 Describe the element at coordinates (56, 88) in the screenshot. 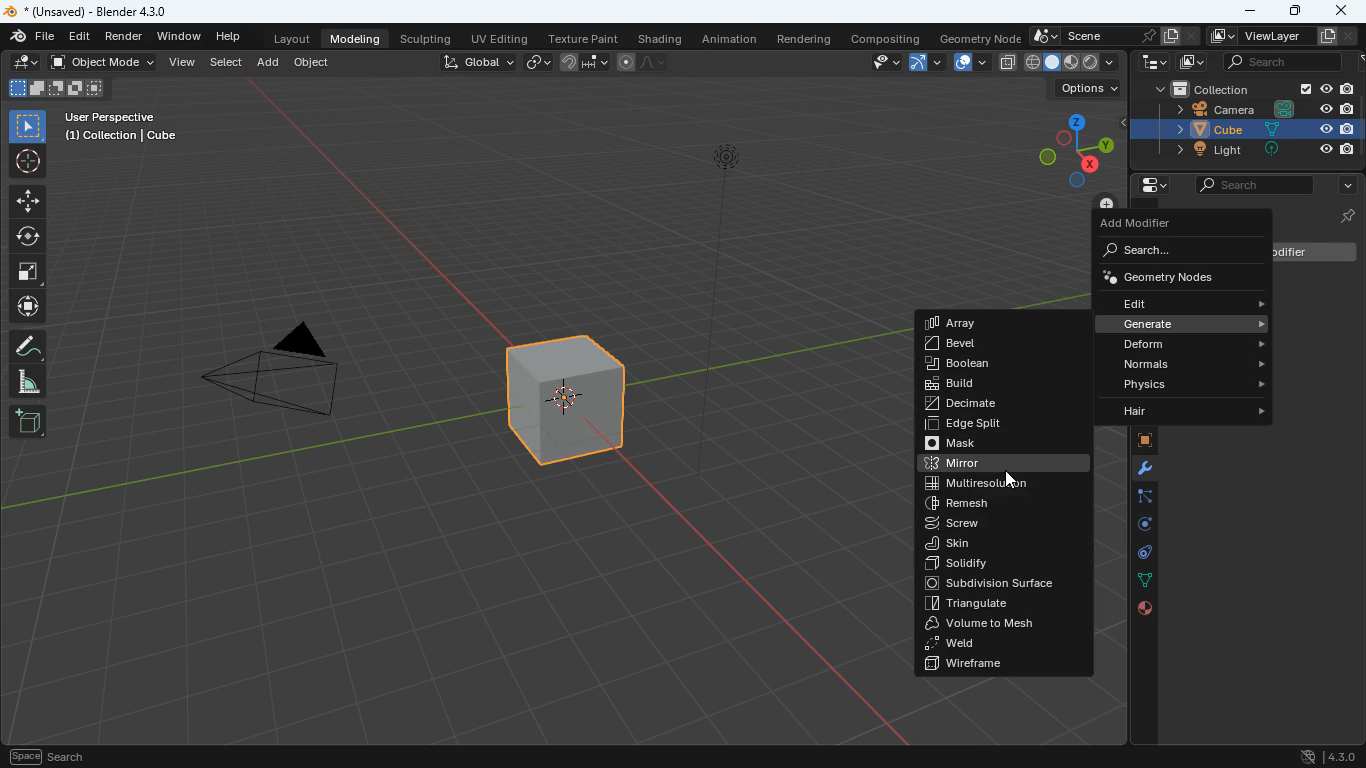

I see `shape` at that location.